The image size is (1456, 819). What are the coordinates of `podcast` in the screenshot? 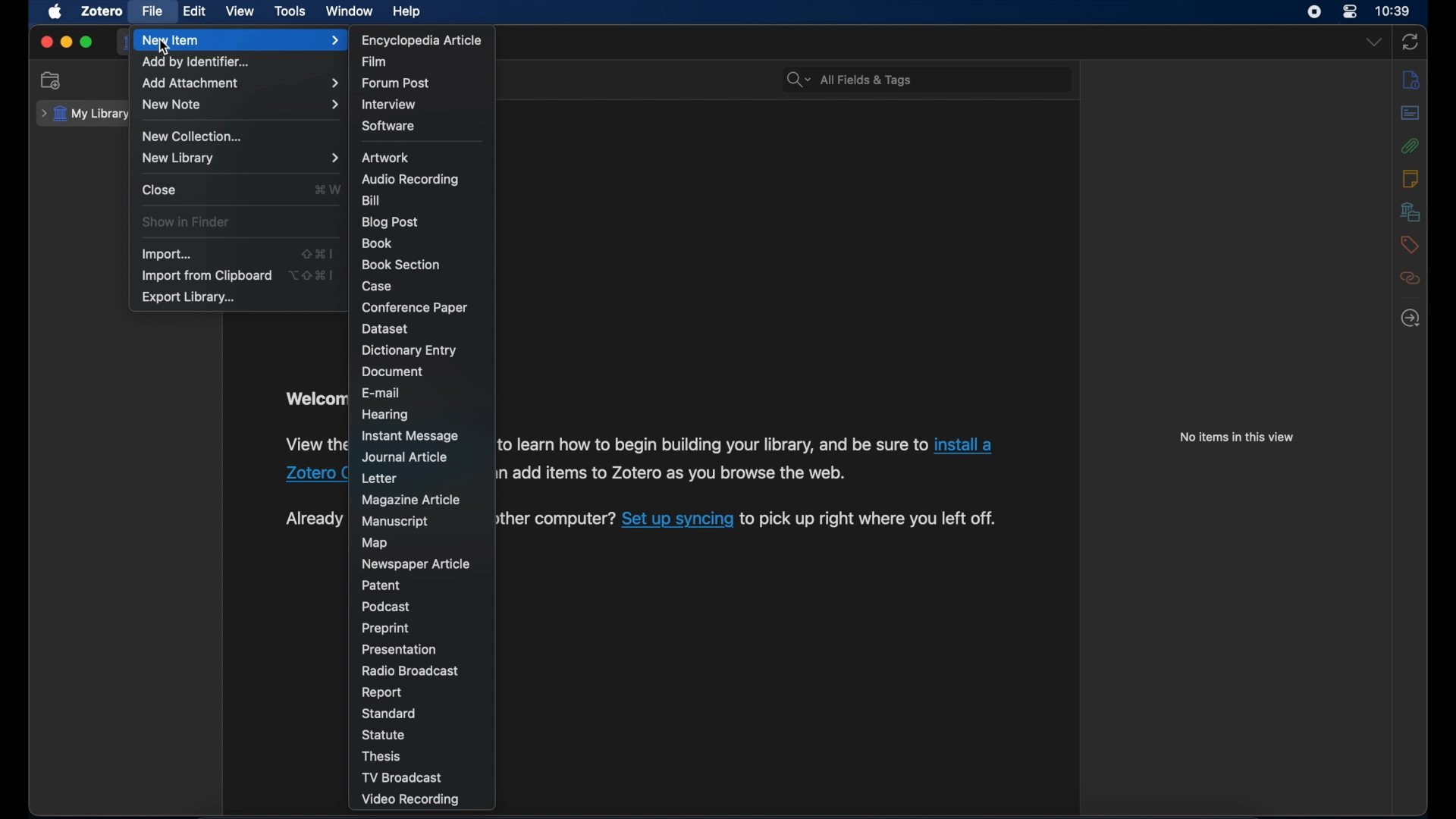 It's located at (386, 607).